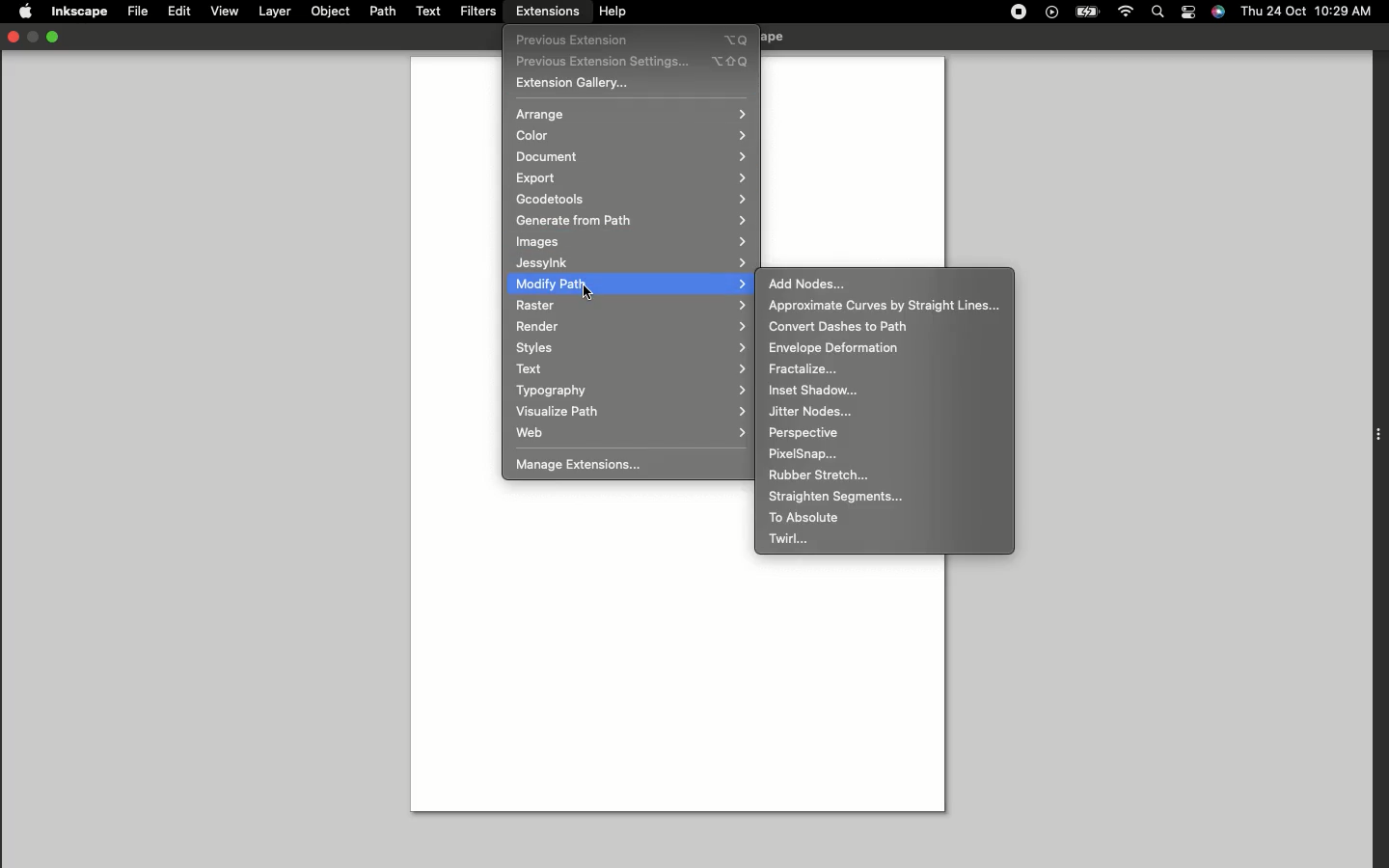  What do you see at coordinates (30, 12) in the screenshot?
I see `Apple logo` at bounding box center [30, 12].